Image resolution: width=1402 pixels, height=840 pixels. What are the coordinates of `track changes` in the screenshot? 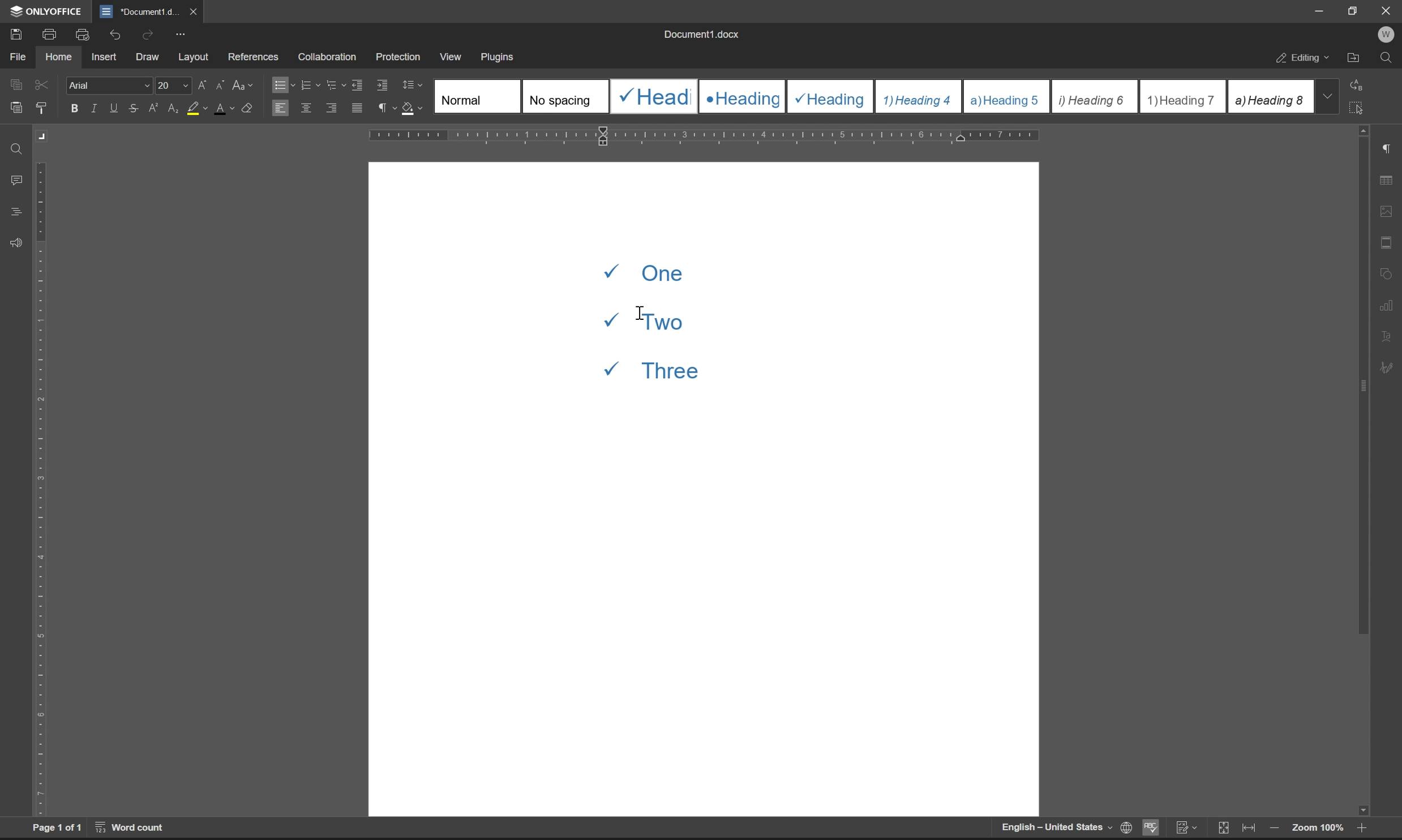 It's located at (1186, 828).